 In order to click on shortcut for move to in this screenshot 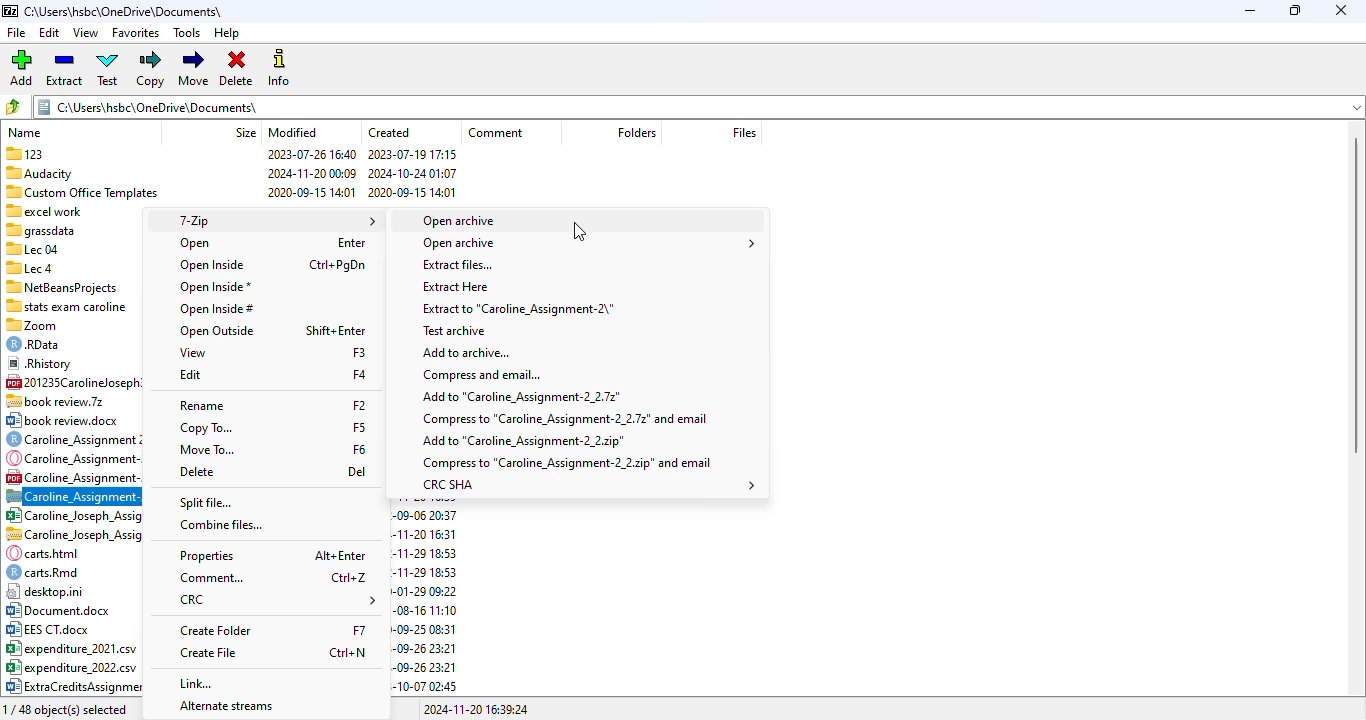, I will do `click(359, 449)`.